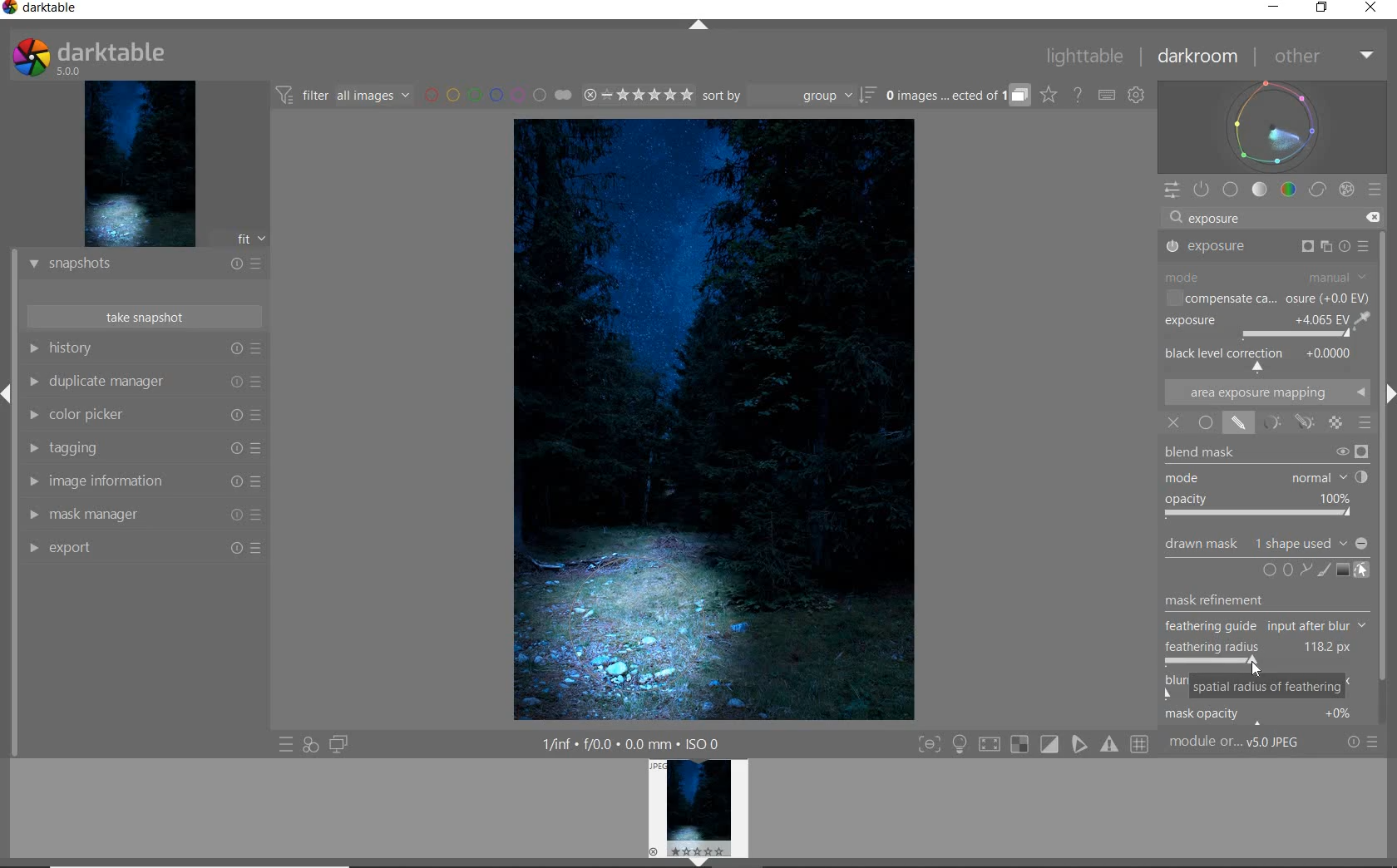  I want to click on EFFECT, so click(1347, 190).